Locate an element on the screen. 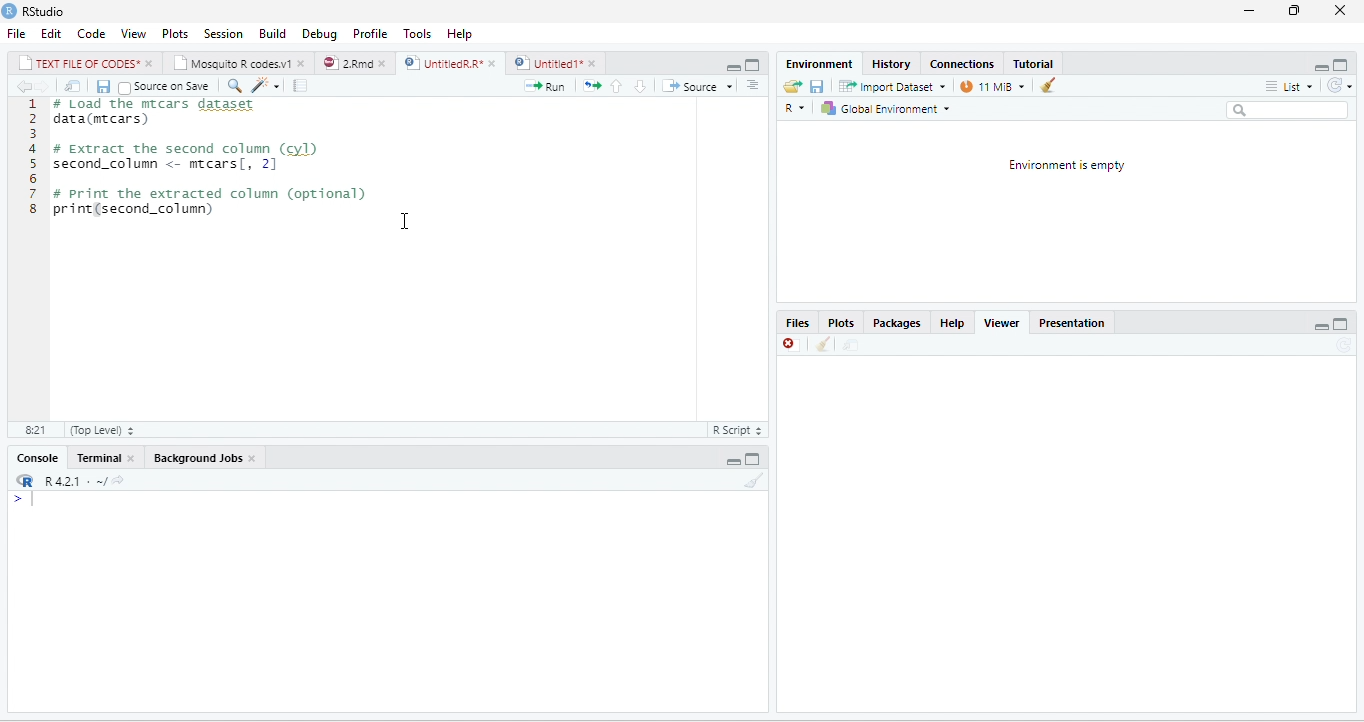 The width and height of the screenshot is (1364, 722). search is located at coordinates (1288, 109).